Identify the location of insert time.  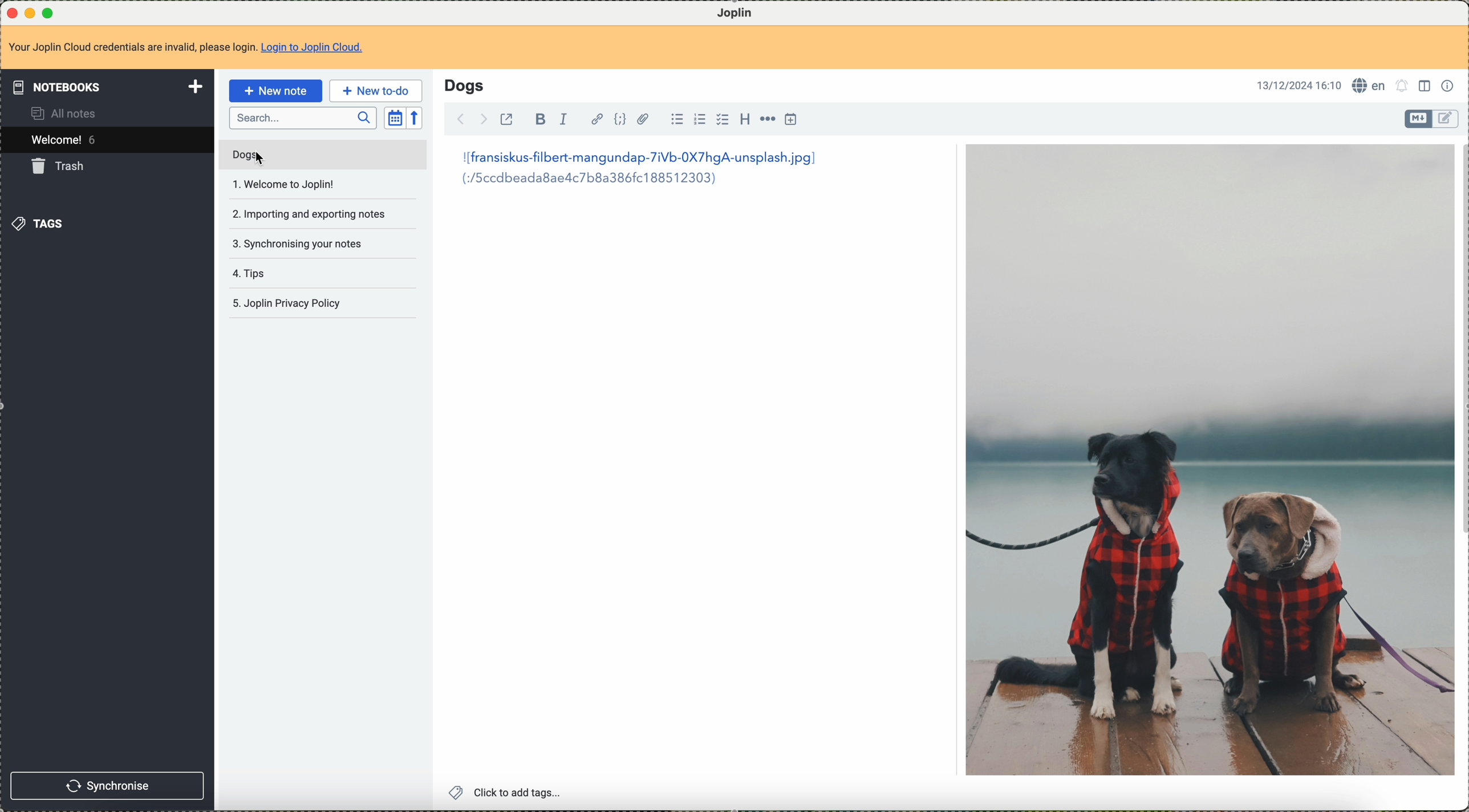
(792, 120).